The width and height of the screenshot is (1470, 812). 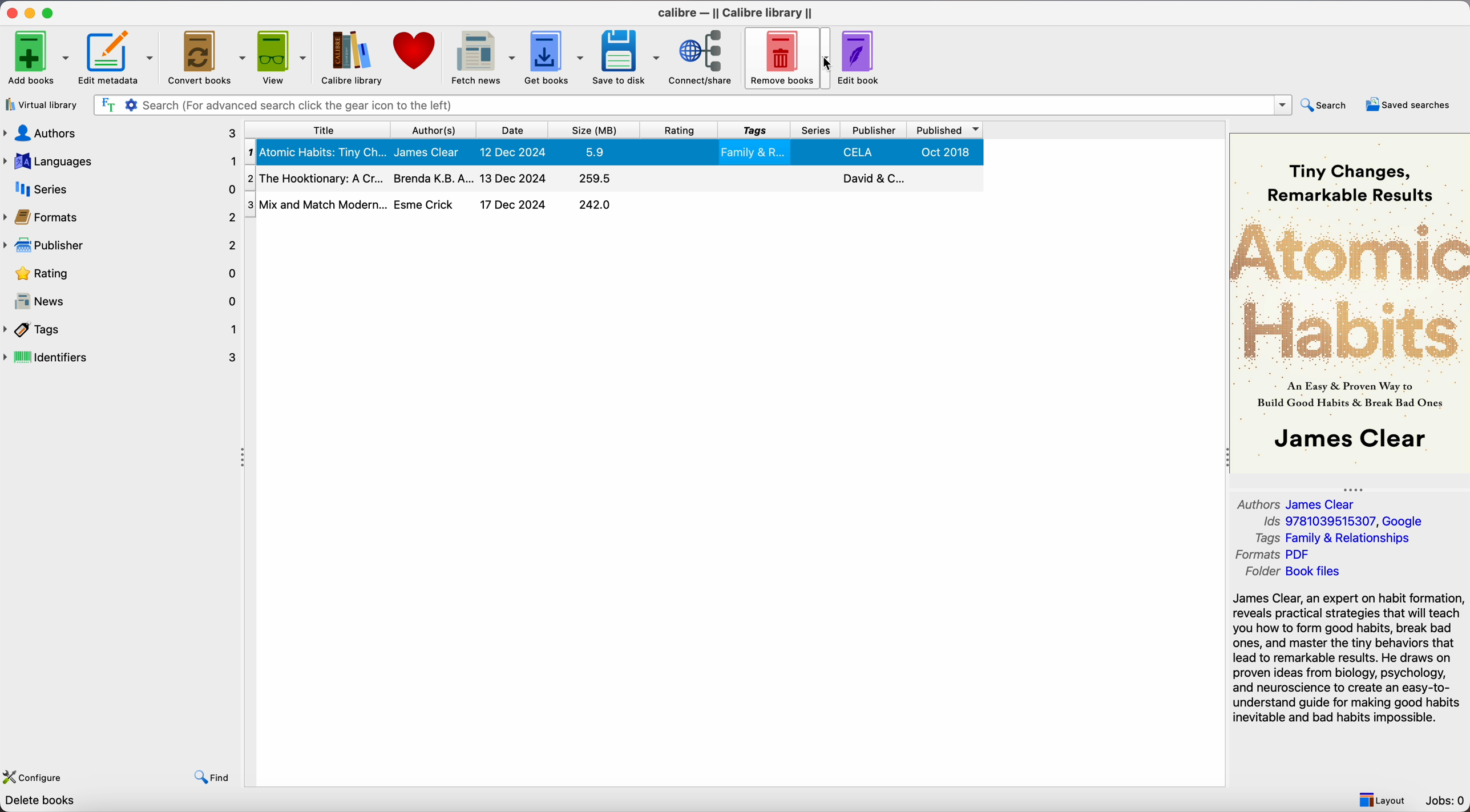 I want to click on virtual library, so click(x=42, y=106).